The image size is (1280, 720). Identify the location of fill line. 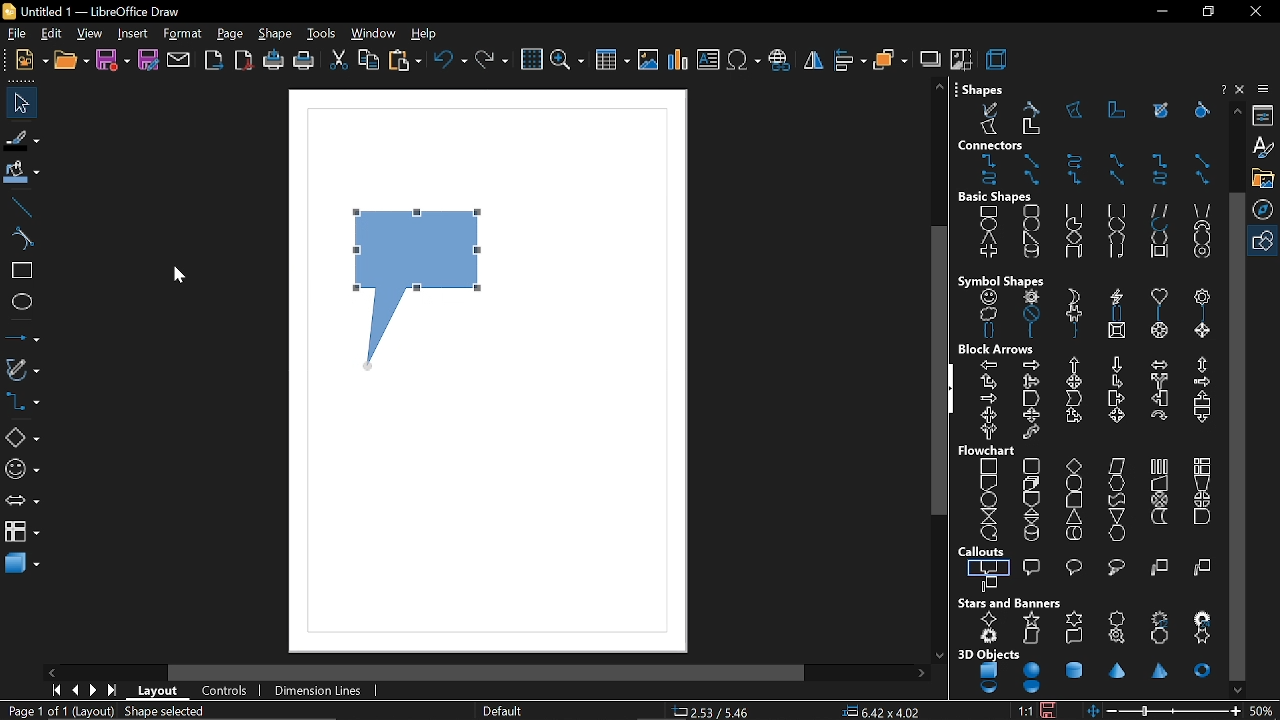
(21, 139).